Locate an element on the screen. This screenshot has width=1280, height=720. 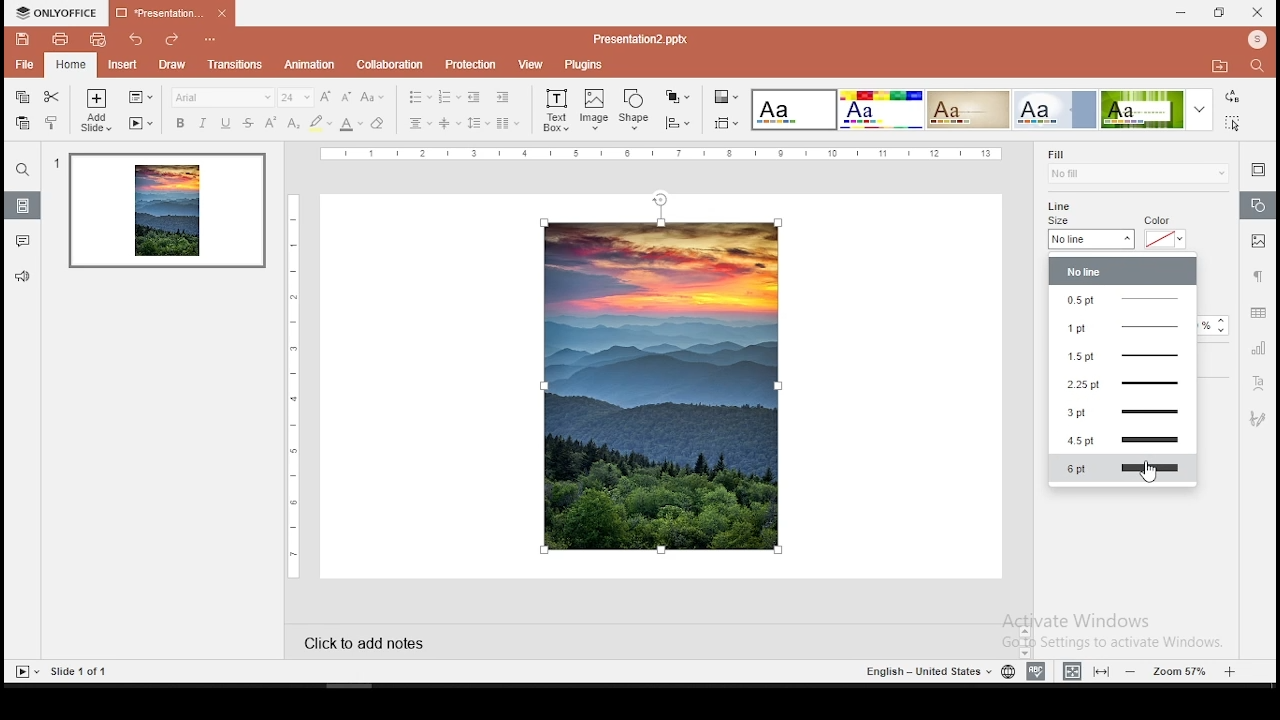
icon is located at coordinates (55, 12).